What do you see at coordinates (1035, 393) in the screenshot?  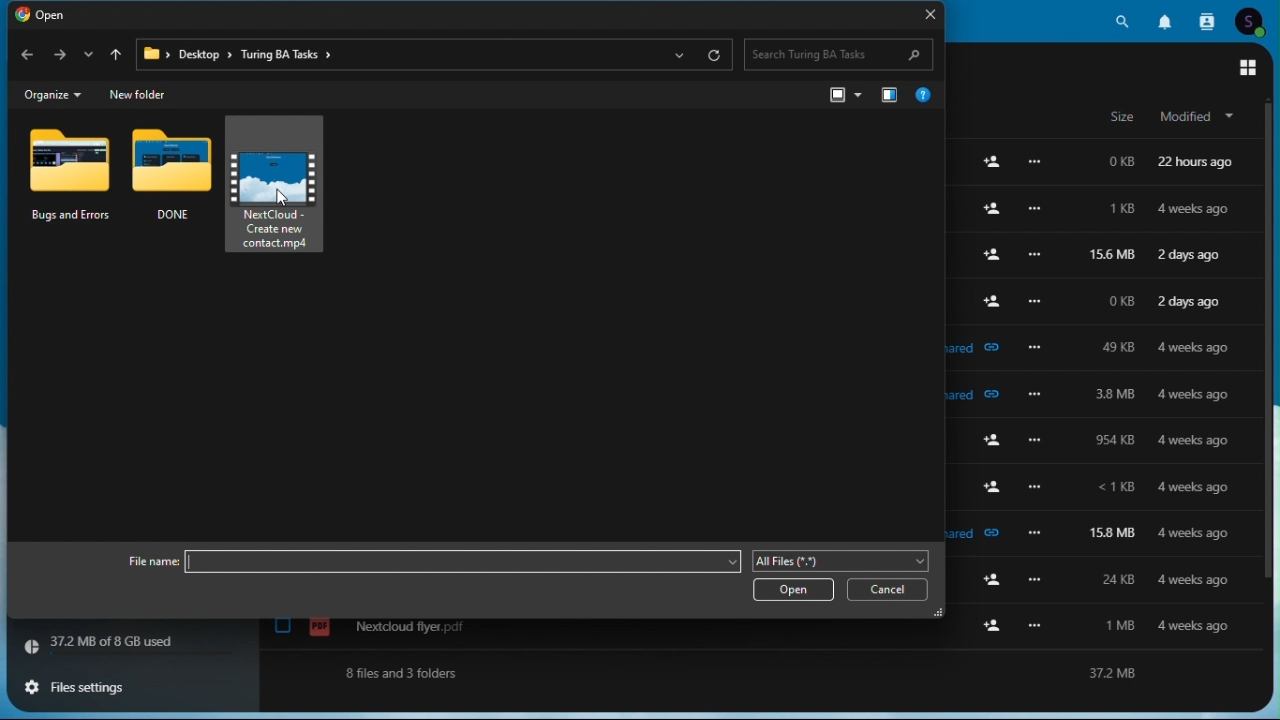 I see `more options` at bounding box center [1035, 393].